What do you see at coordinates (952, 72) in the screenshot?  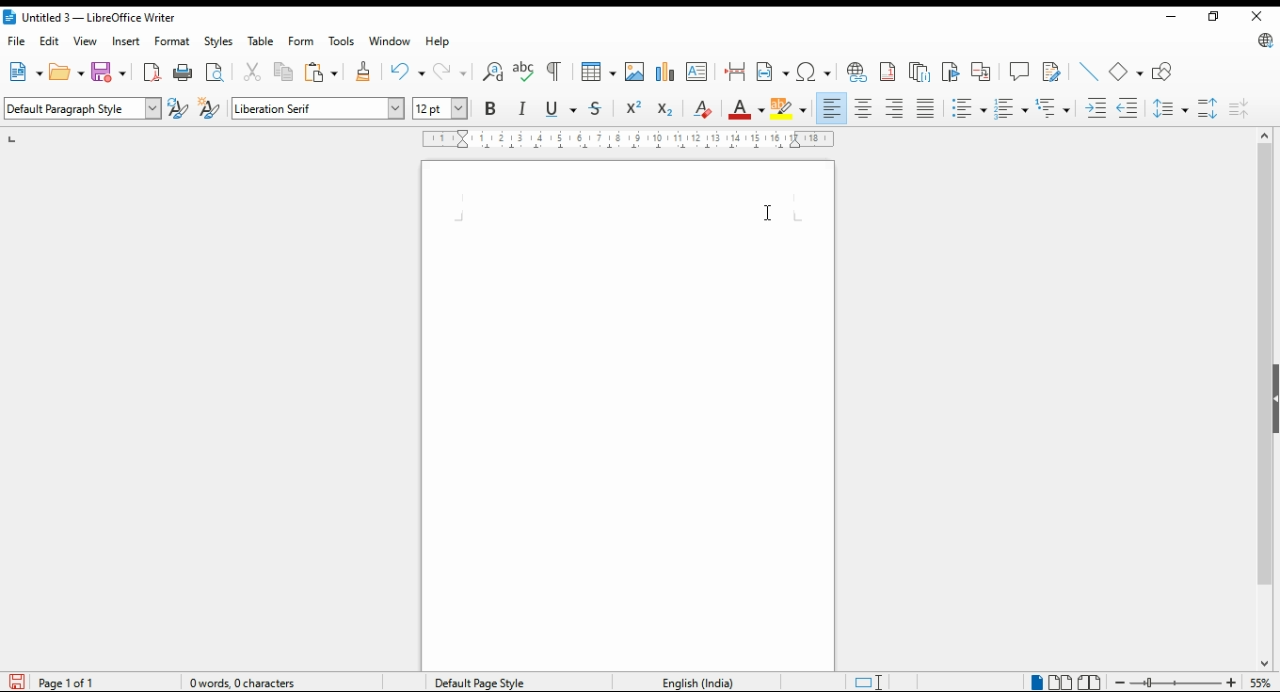 I see `insert bookmark` at bounding box center [952, 72].